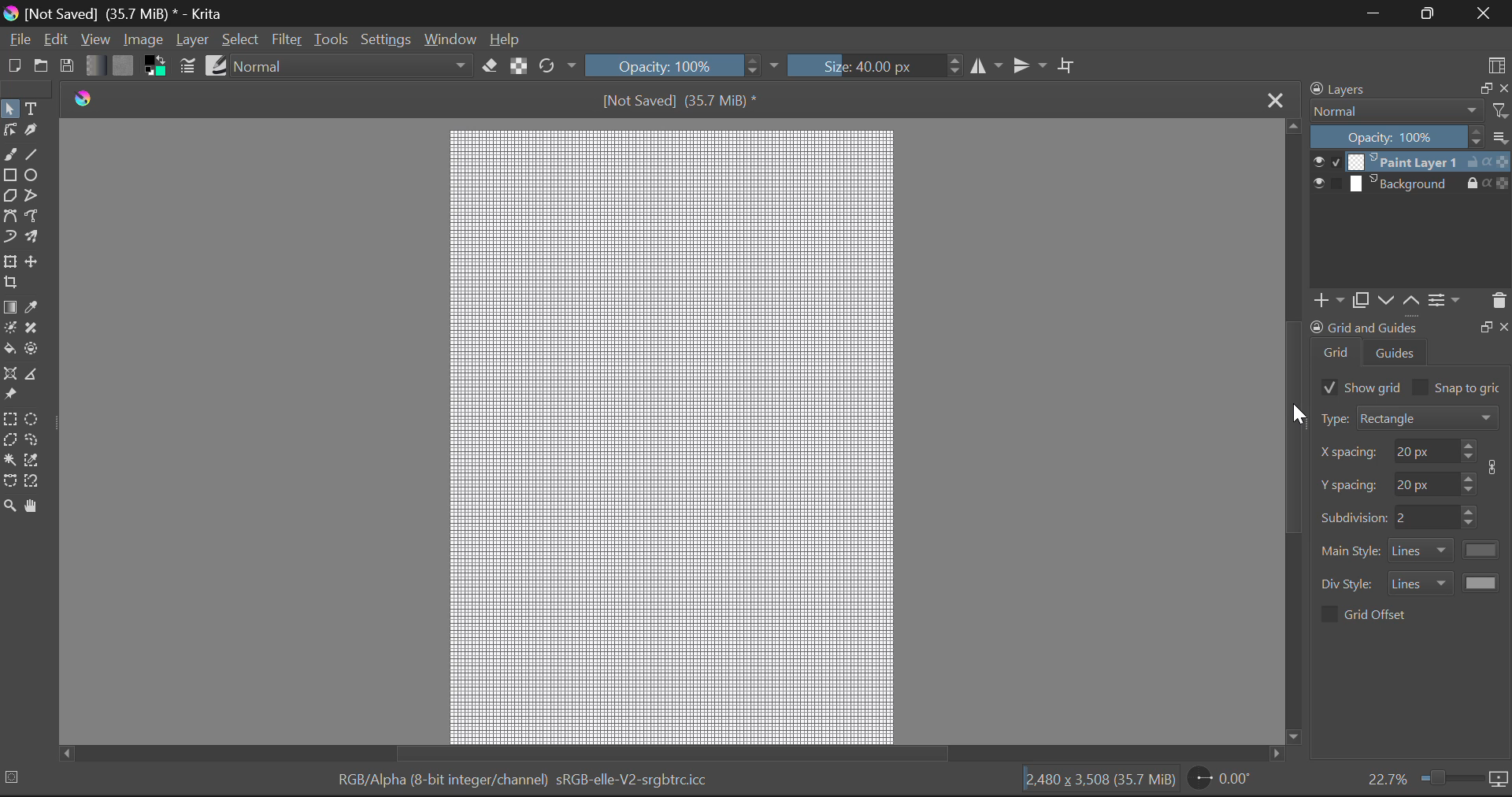 The image size is (1512, 797). What do you see at coordinates (506, 39) in the screenshot?
I see `Help` at bounding box center [506, 39].